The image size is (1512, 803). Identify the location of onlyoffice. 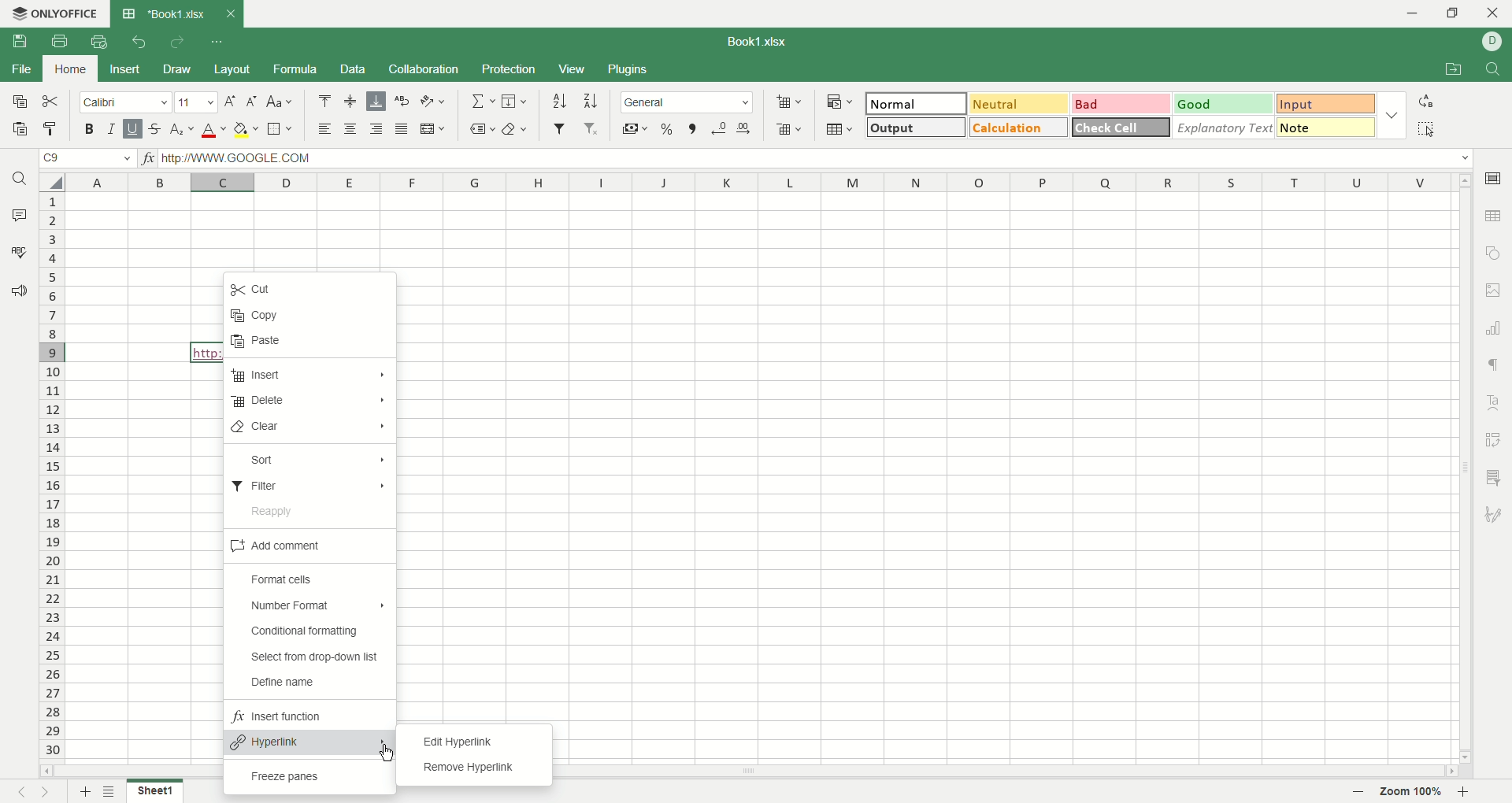
(57, 14).